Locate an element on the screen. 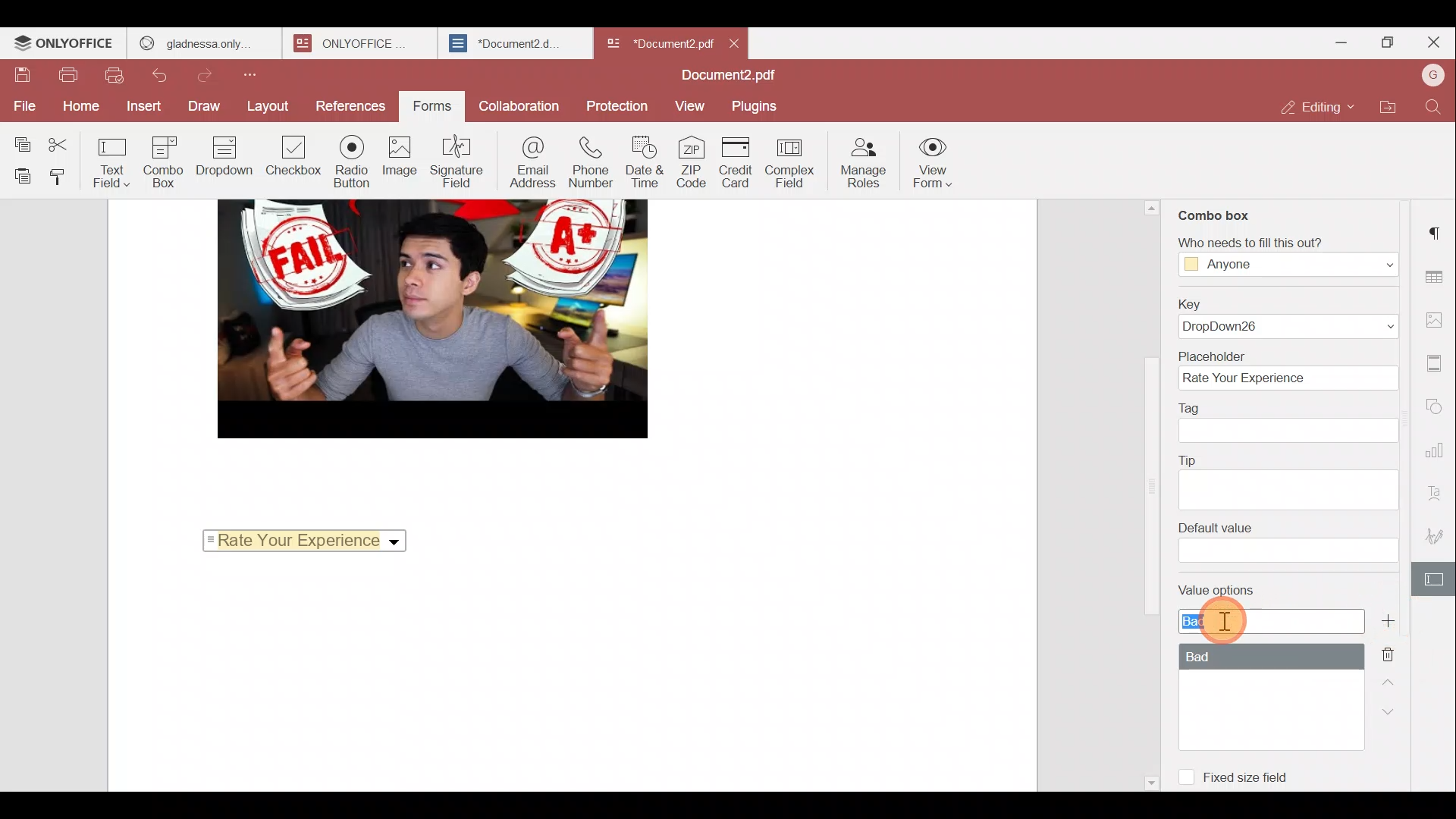 Image resolution: width=1456 pixels, height=819 pixels. Home is located at coordinates (77, 108).